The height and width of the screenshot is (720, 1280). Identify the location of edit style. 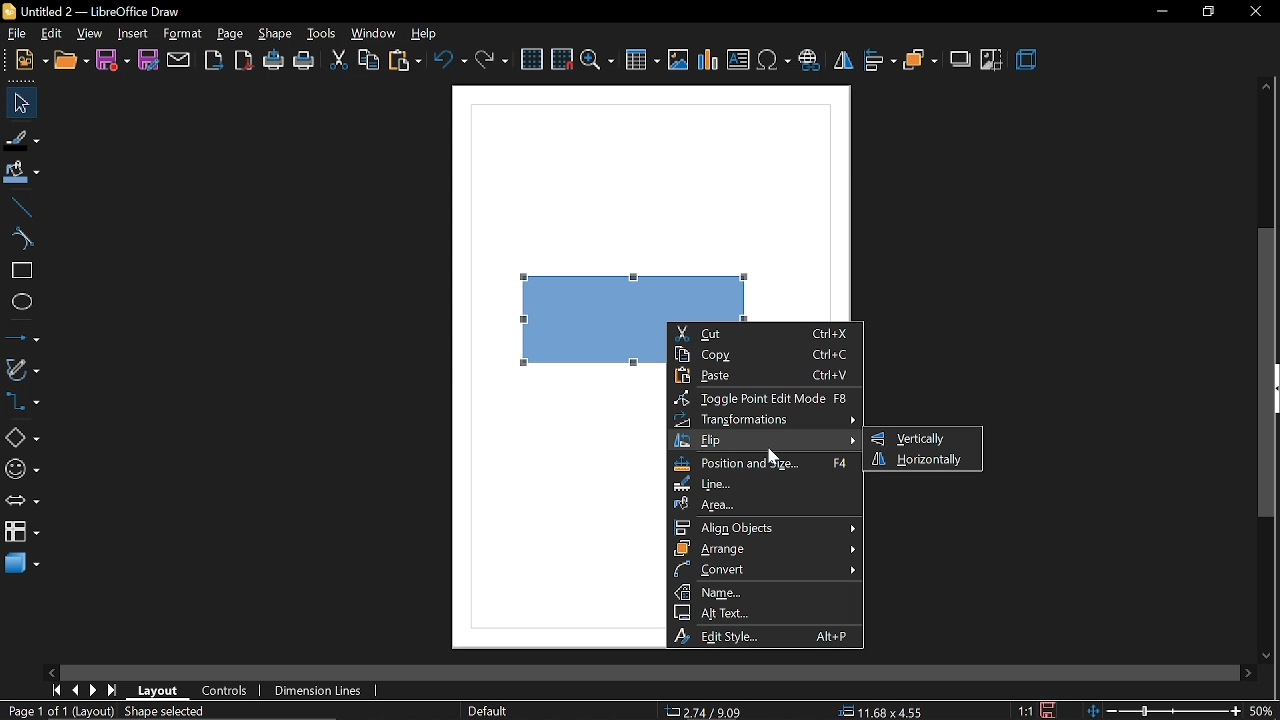
(768, 635).